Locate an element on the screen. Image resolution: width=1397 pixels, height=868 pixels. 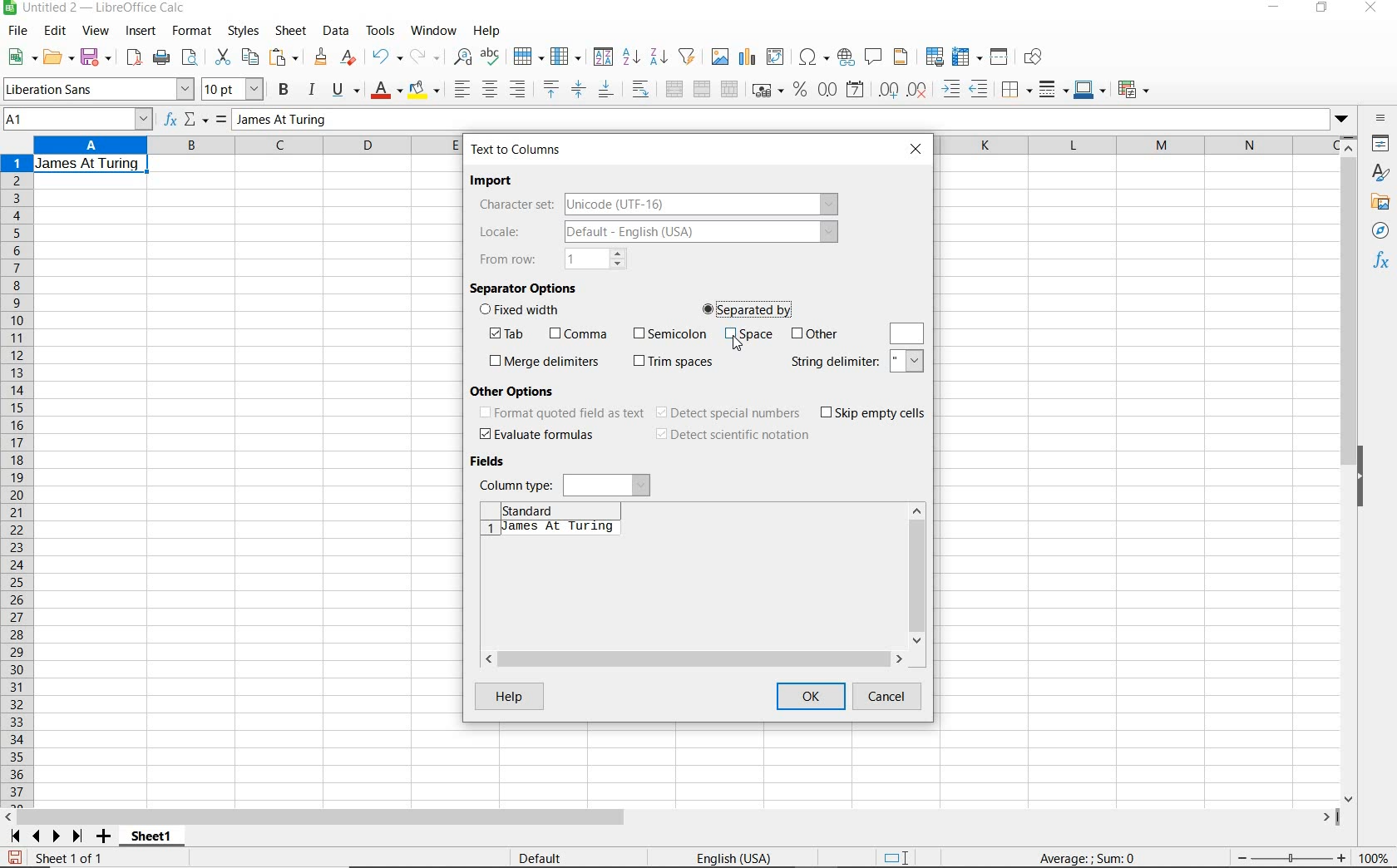
zoom out or zoom in is located at coordinates (1290, 856).